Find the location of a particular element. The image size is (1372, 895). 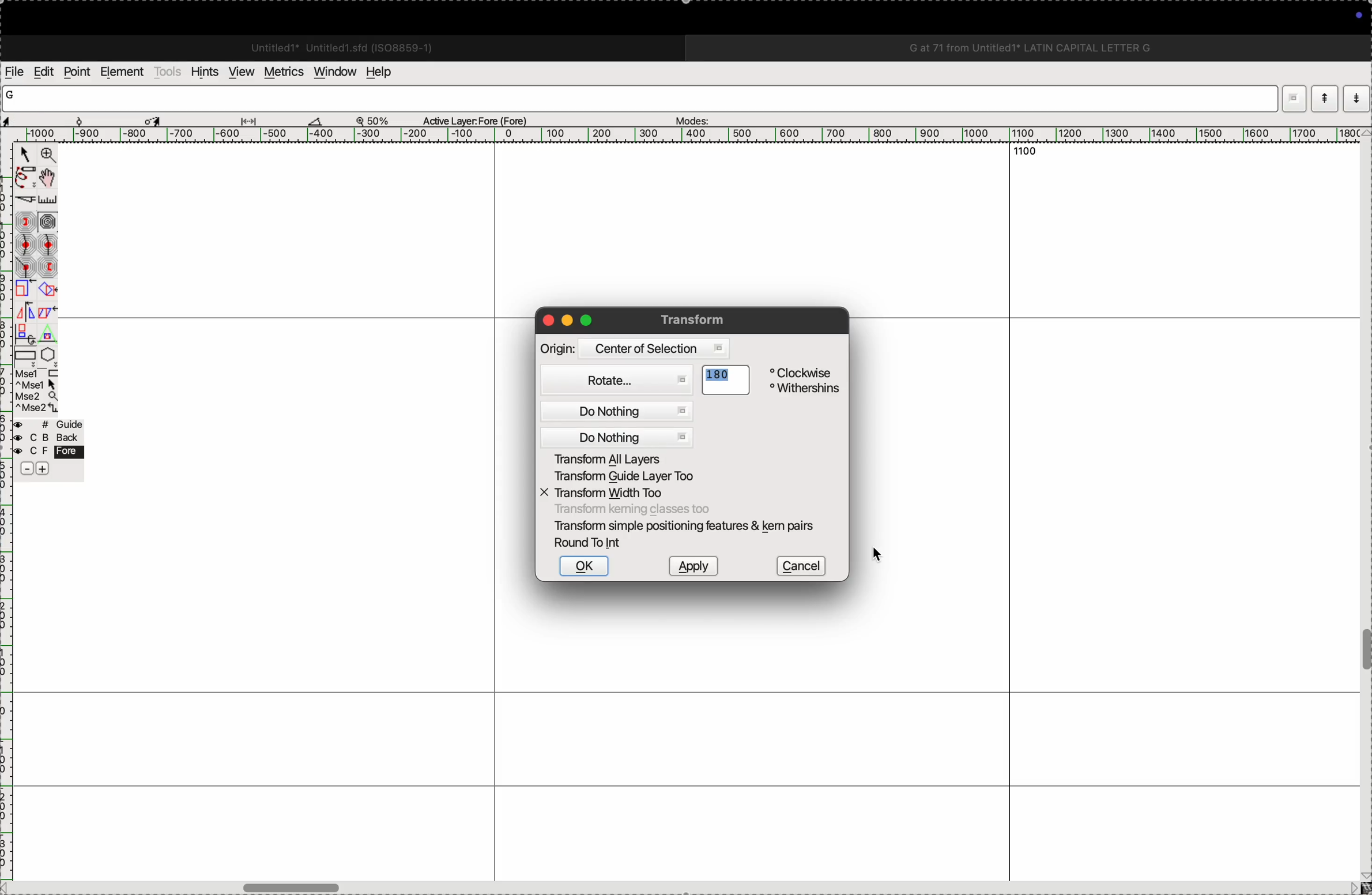

spiro is located at coordinates (48, 221).